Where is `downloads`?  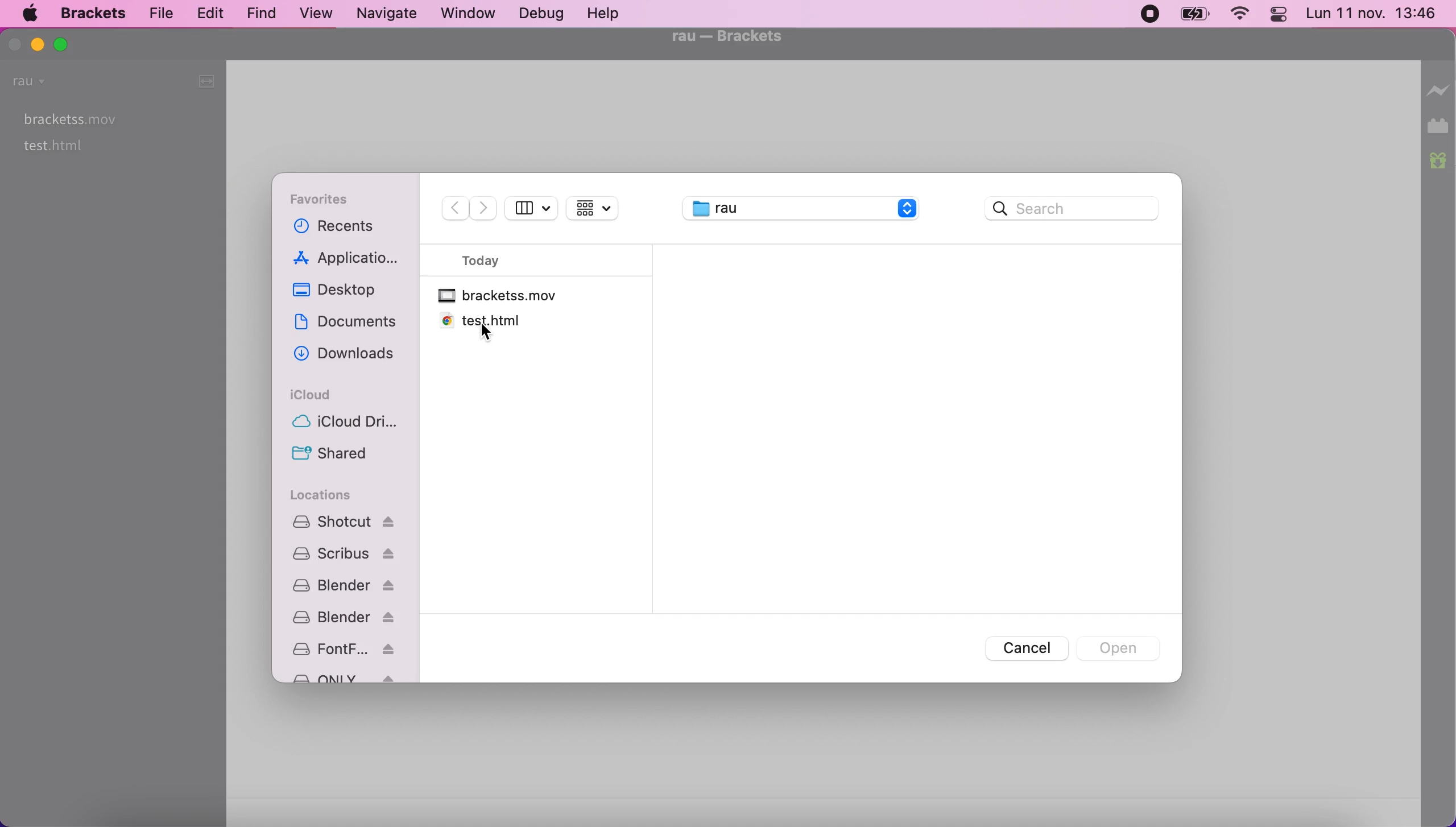
downloads is located at coordinates (345, 356).